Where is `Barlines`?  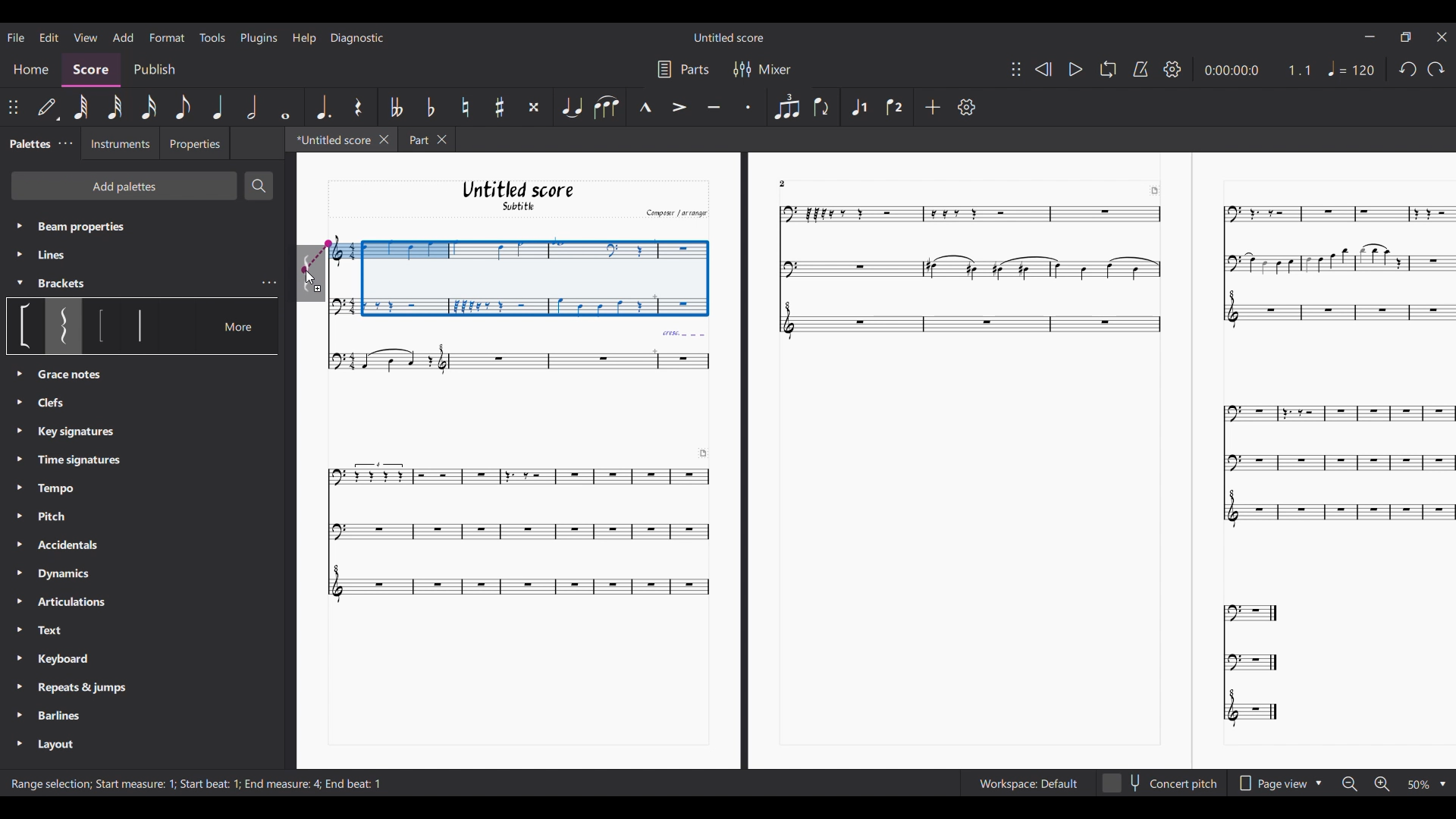
Barlines is located at coordinates (66, 714).